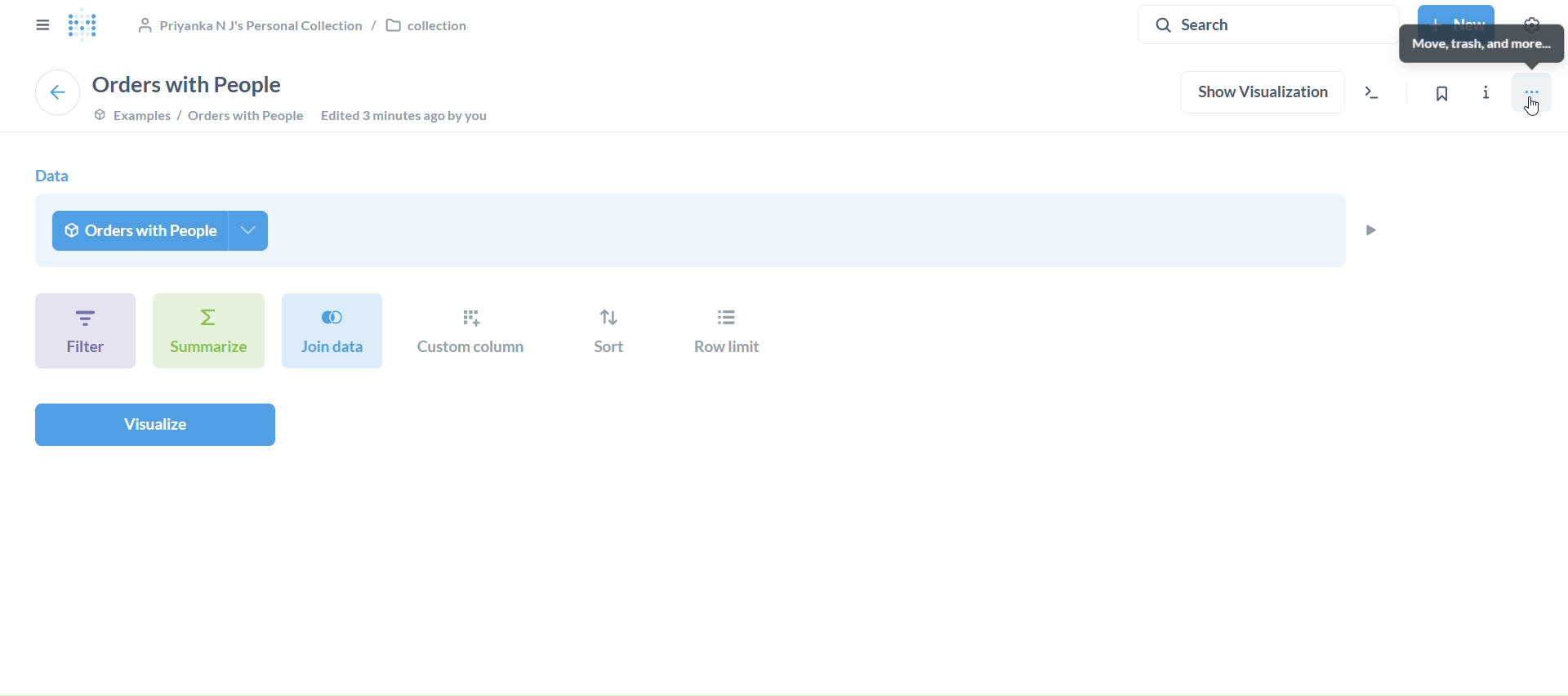 The height and width of the screenshot is (696, 1568). Describe the element at coordinates (51, 175) in the screenshot. I see `data` at that location.